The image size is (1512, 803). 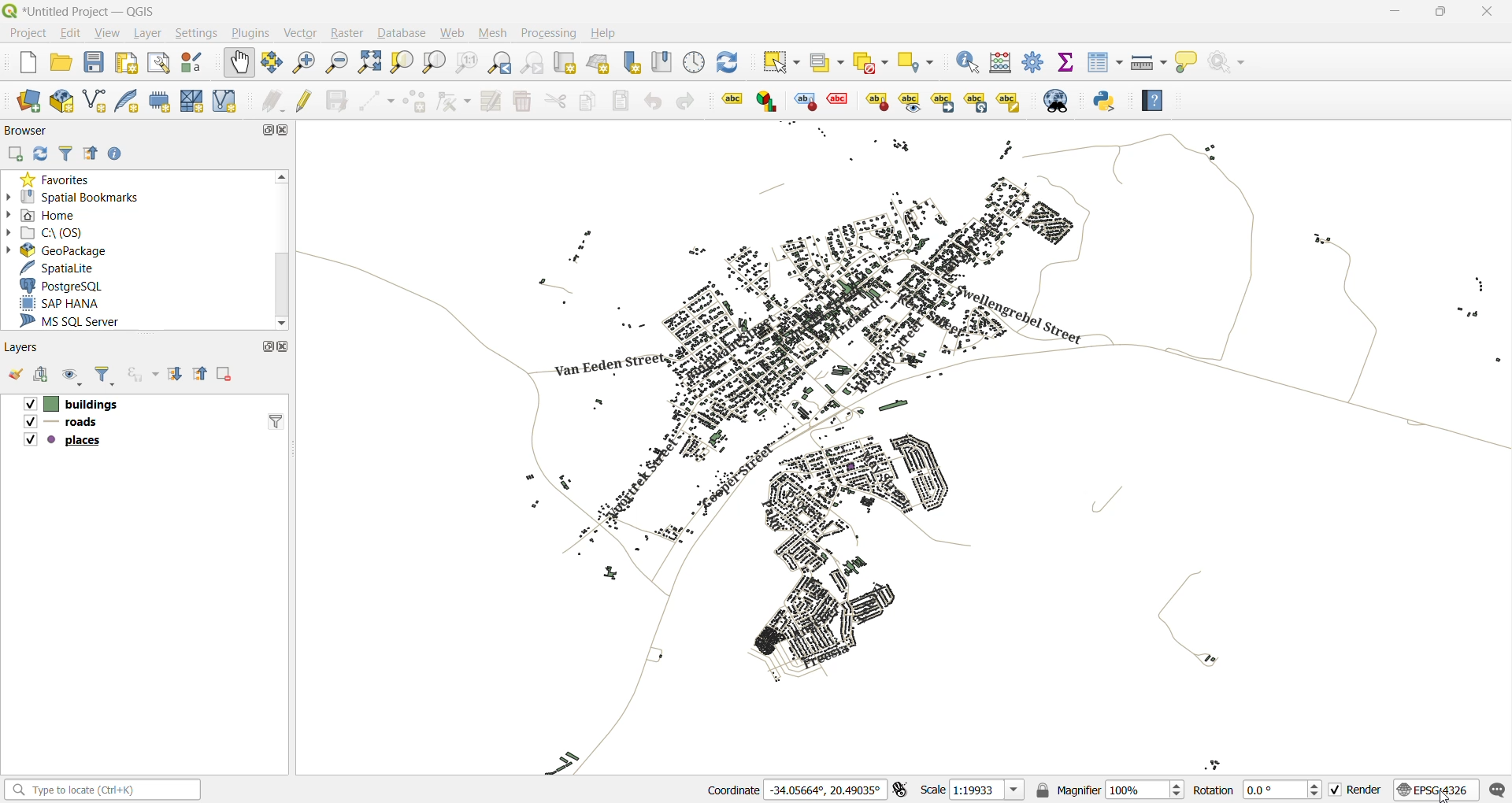 I want to click on raster, so click(x=345, y=33).